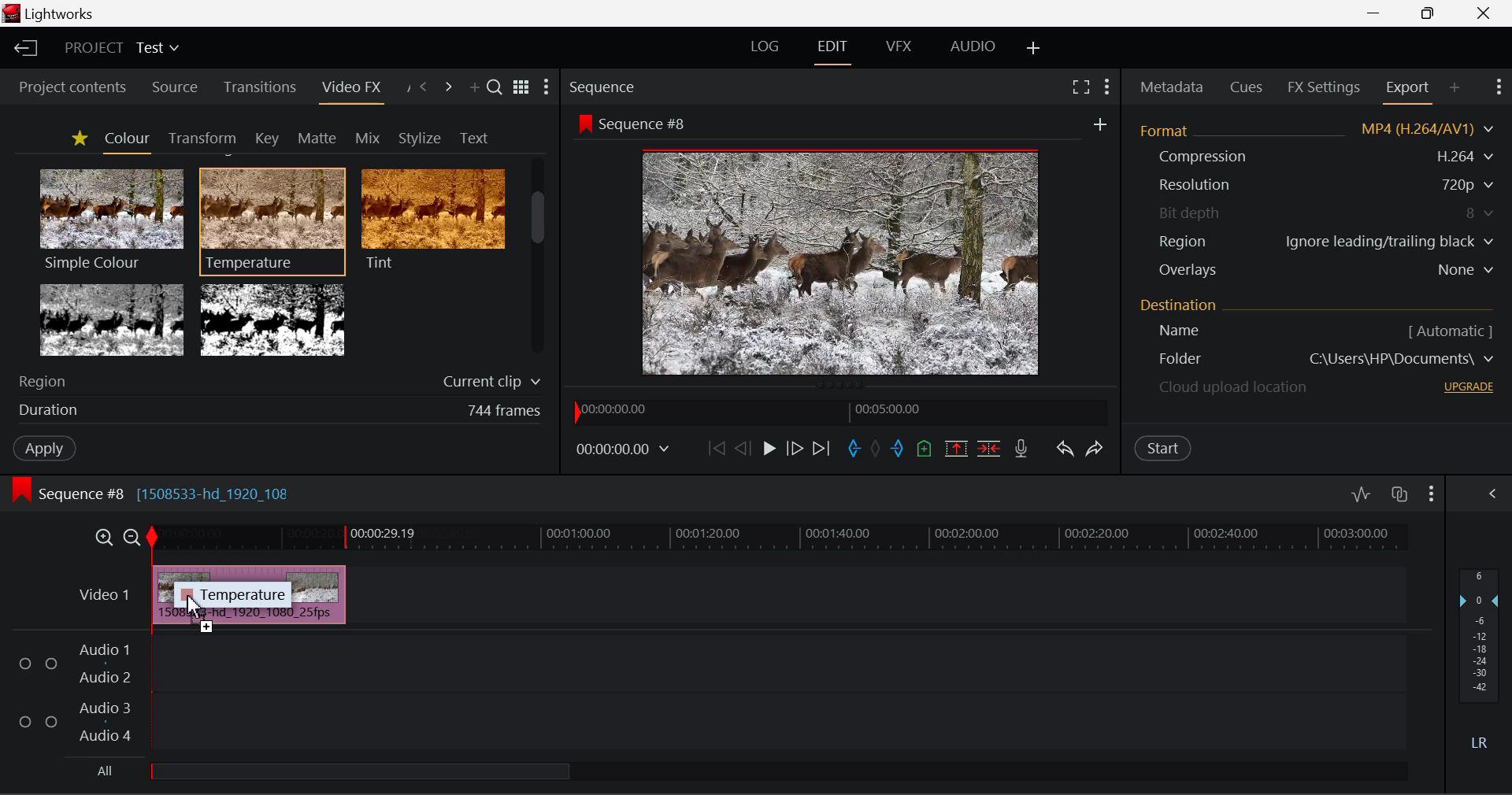 This screenshot has height=795, width=1512. I want to click on Record Voiceover, so click(1021, 447).